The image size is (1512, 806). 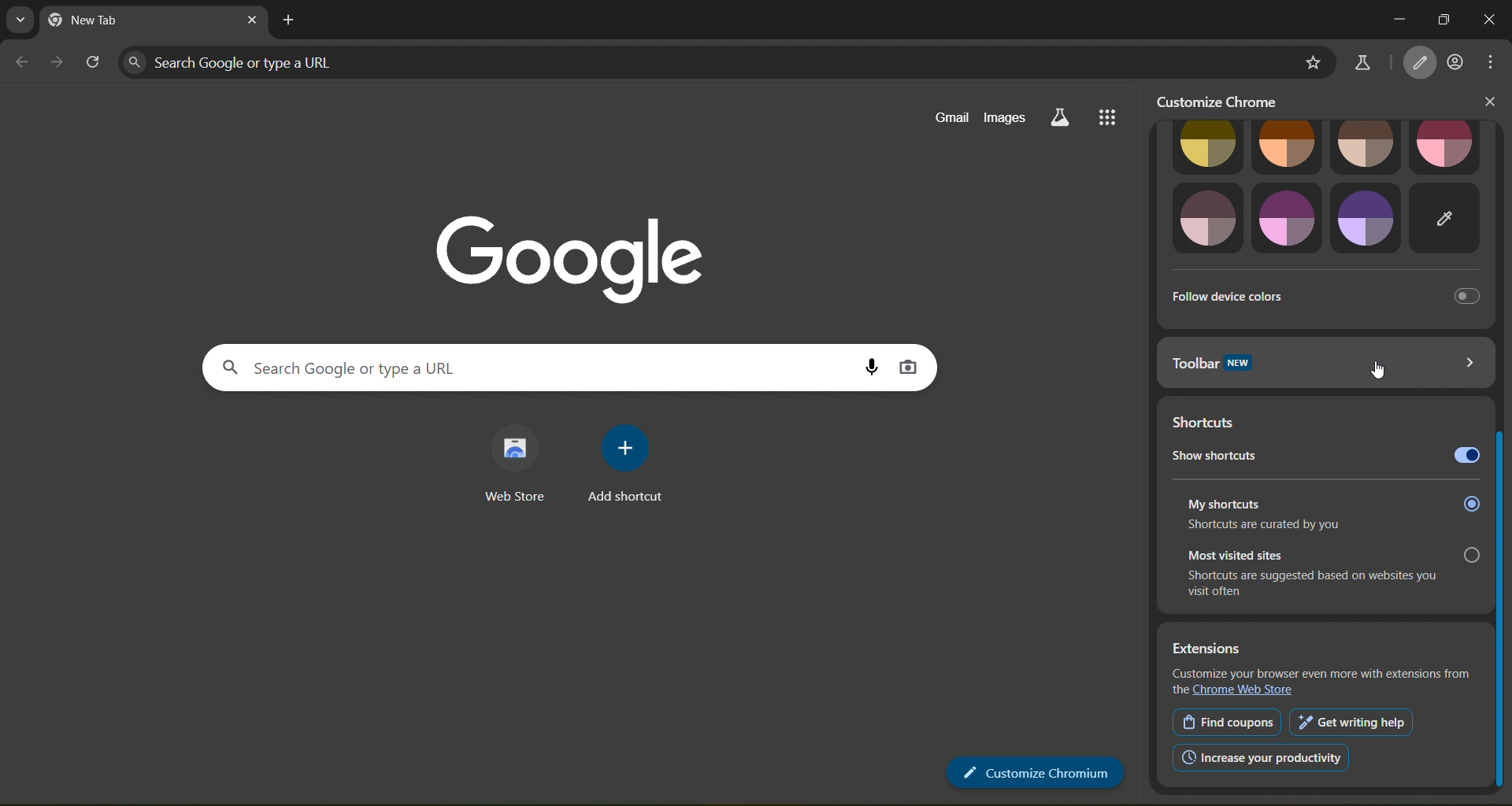 I want to click on current page, so click(x=136, y=20).